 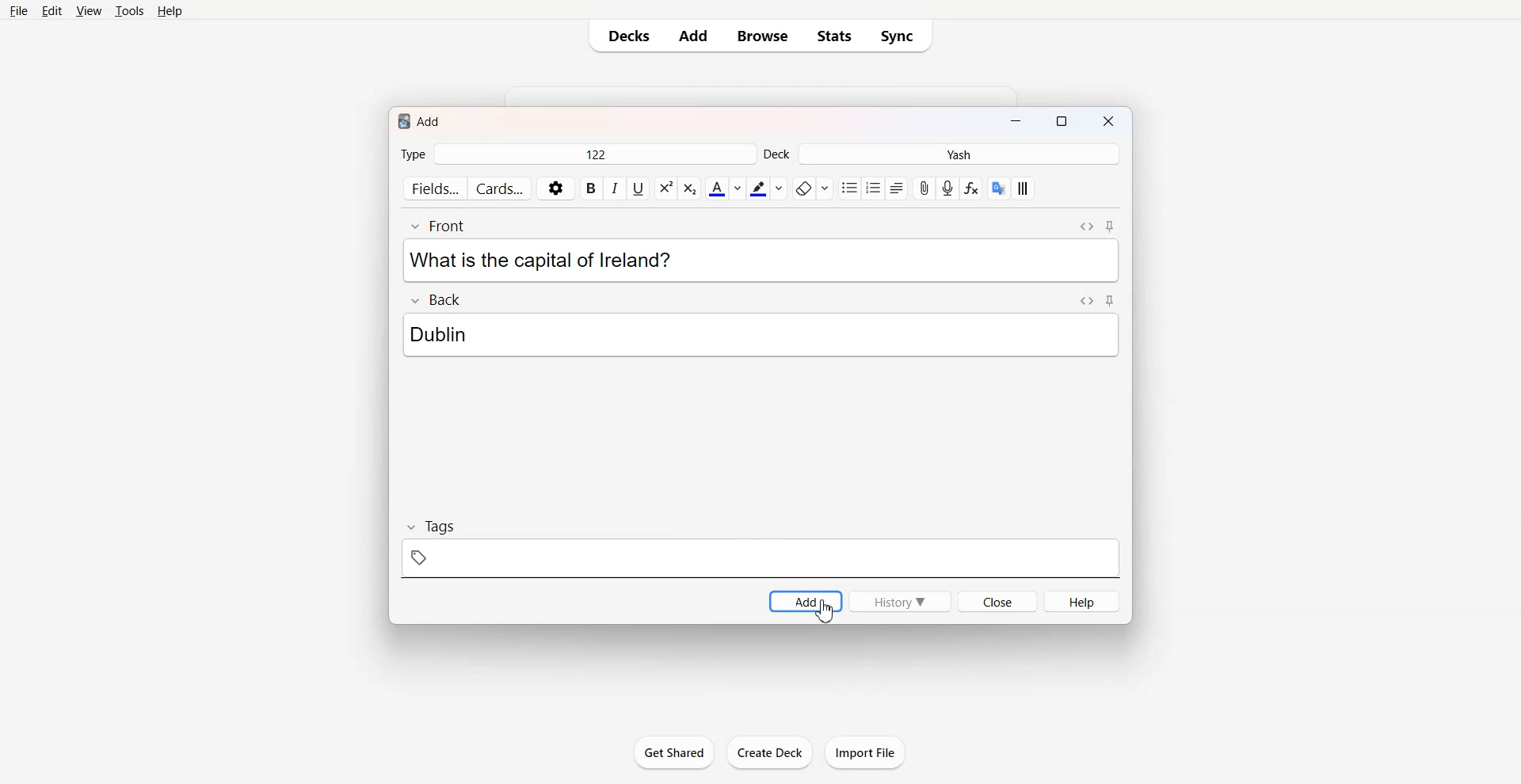 I want to click on Close, so click(x=997, y=601).